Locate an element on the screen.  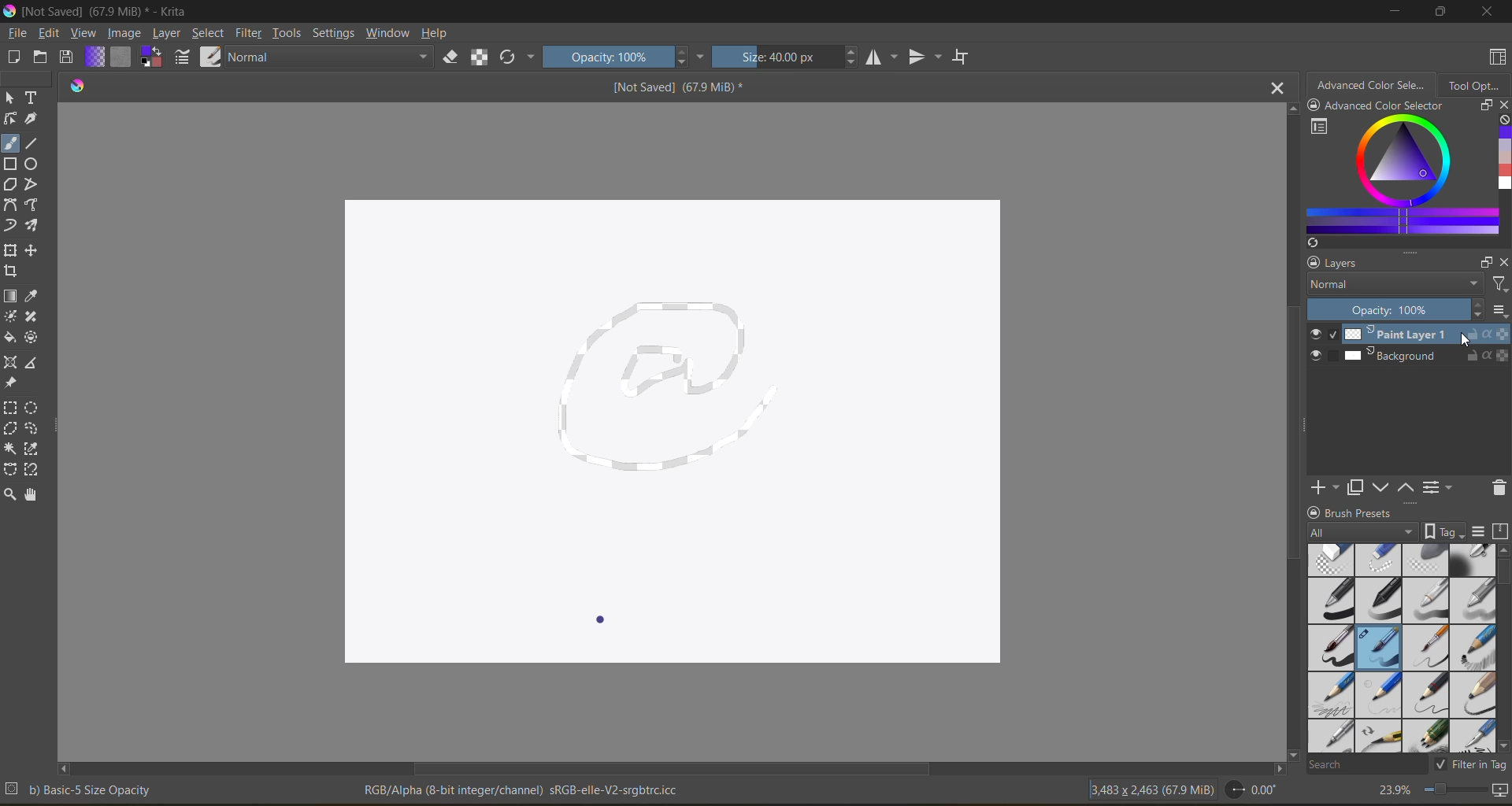
duplicate mask is located at coordinates (1355, 488).